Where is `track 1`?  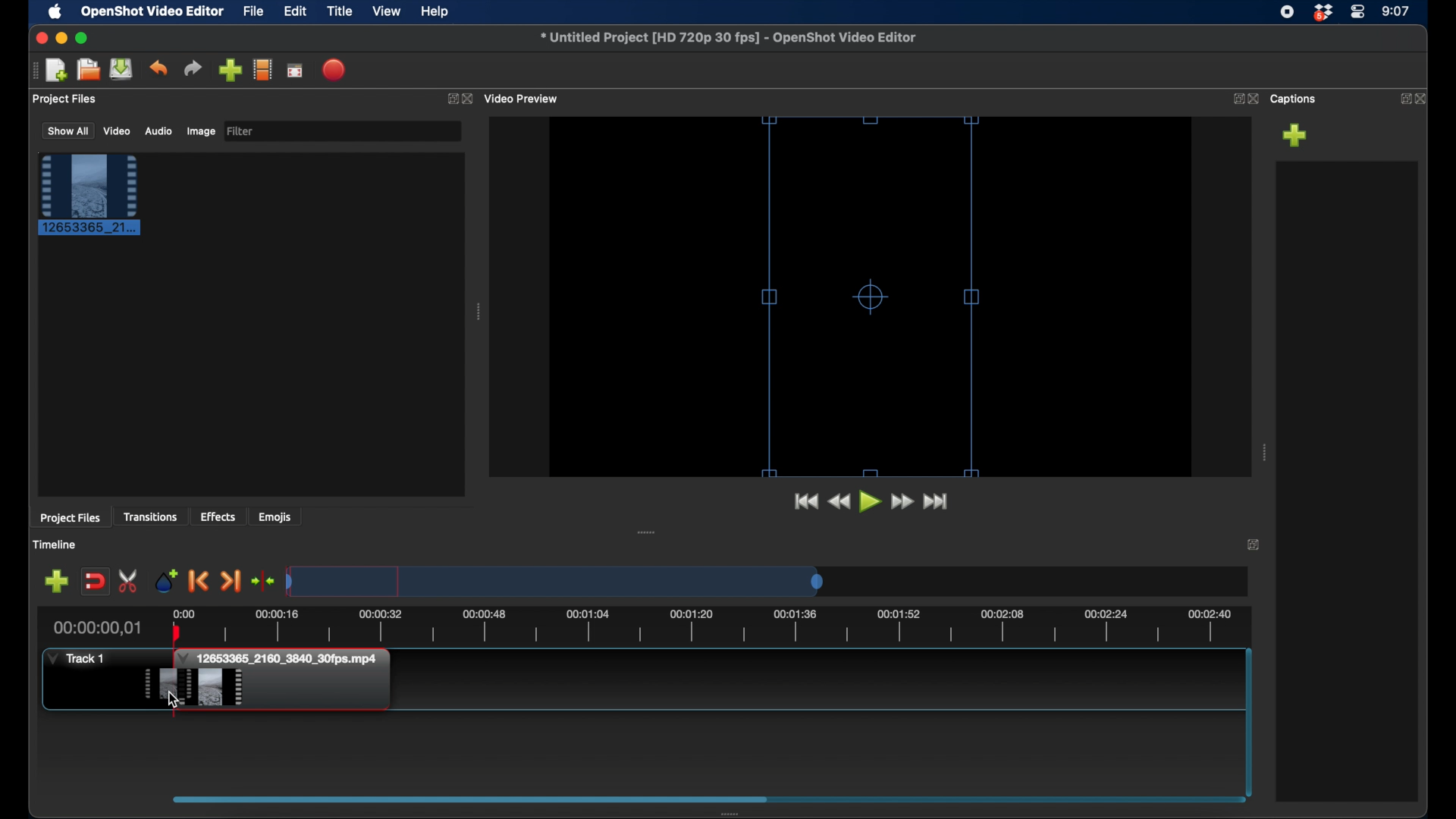 track 1 is located at coordinates (76, 657).